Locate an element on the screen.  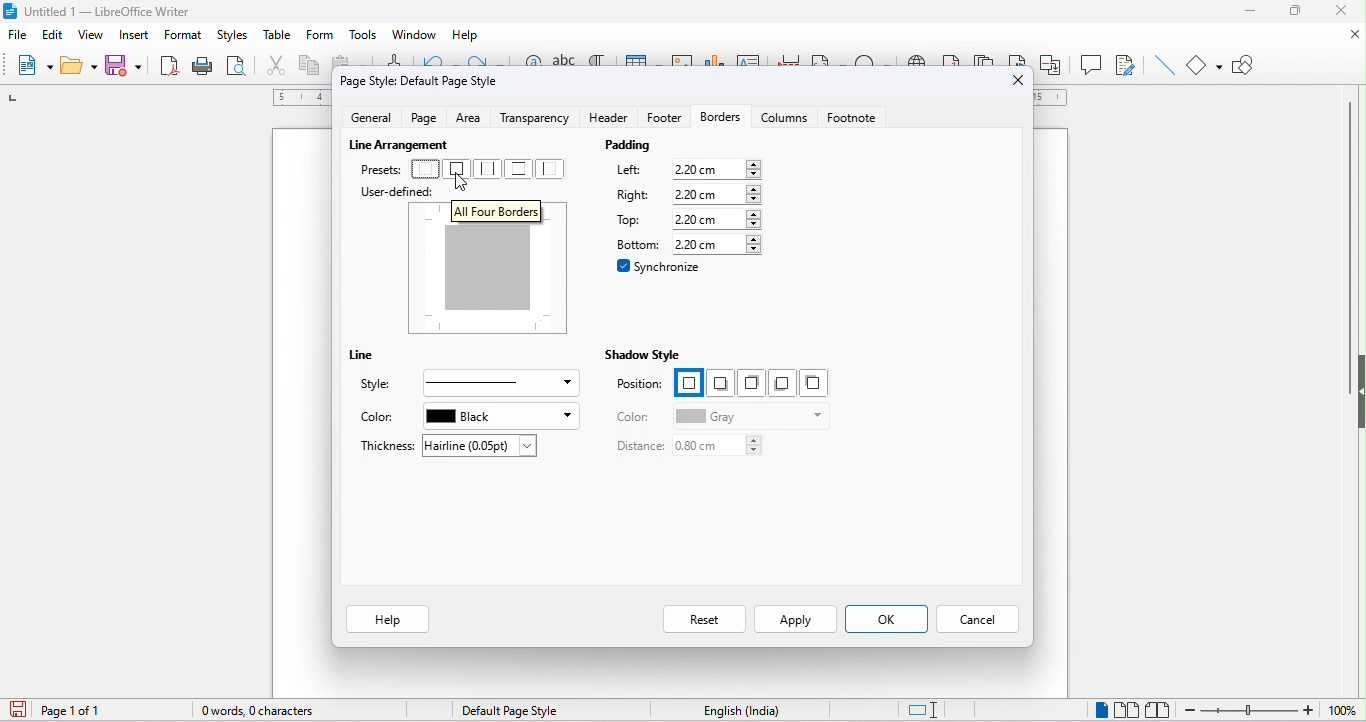
copy is located at coordinates (310, 69).